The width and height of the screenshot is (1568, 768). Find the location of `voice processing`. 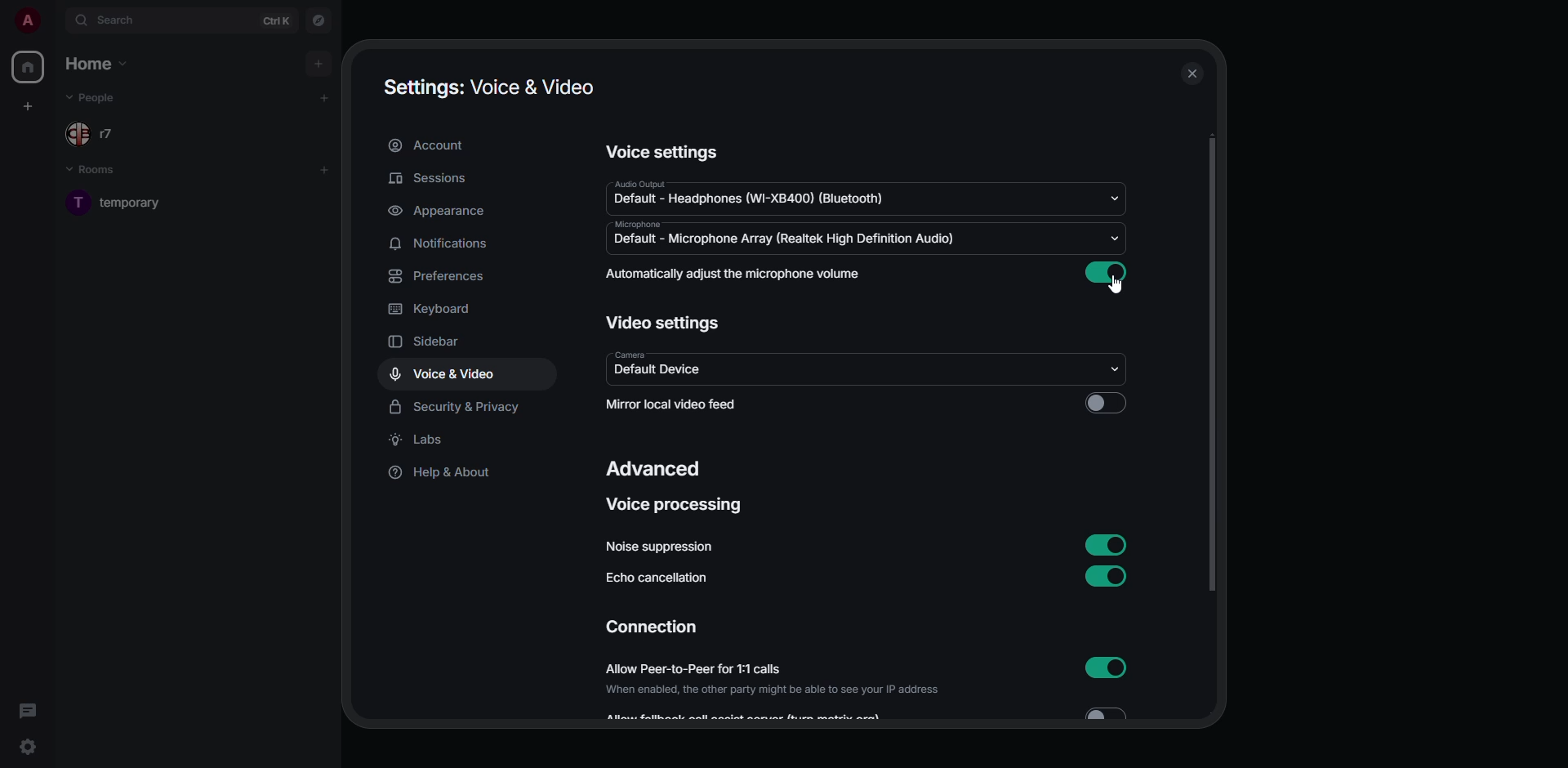

voice processing is located at coordinates (676, 505).